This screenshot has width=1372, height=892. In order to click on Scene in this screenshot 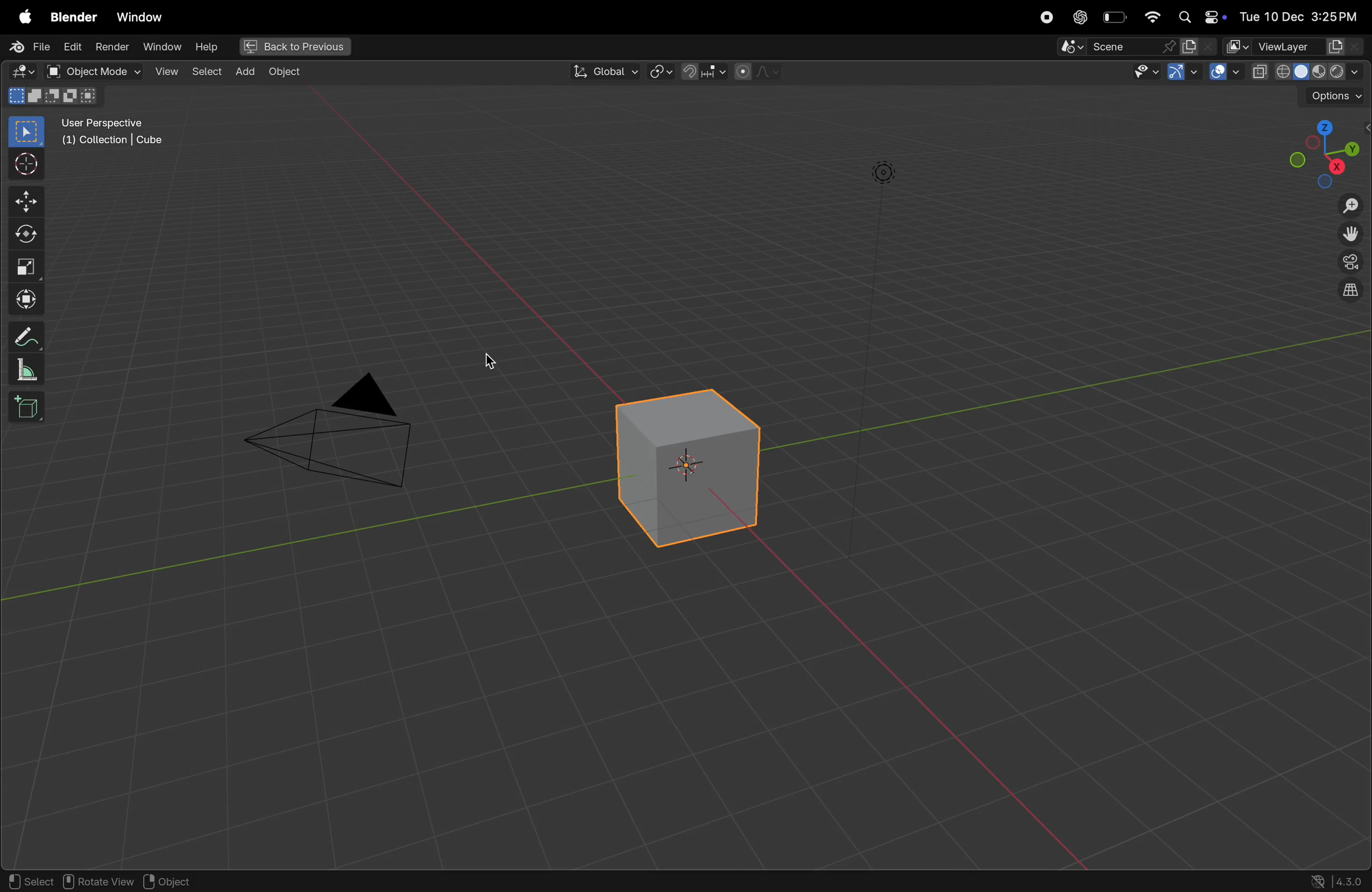, I will do `click(1137, 47)`.